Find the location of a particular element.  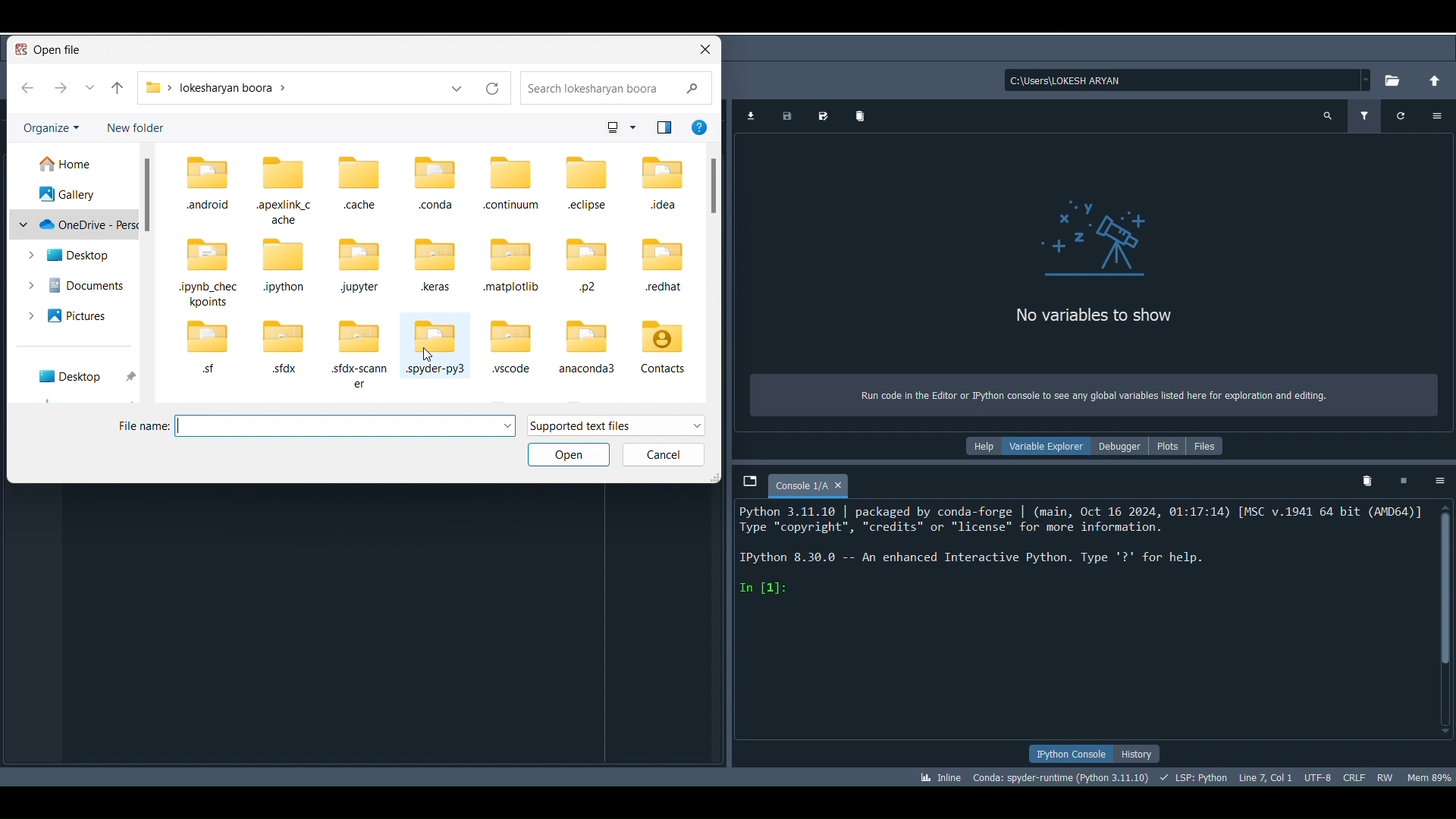

Cursor is located at coordinates (422, 354).